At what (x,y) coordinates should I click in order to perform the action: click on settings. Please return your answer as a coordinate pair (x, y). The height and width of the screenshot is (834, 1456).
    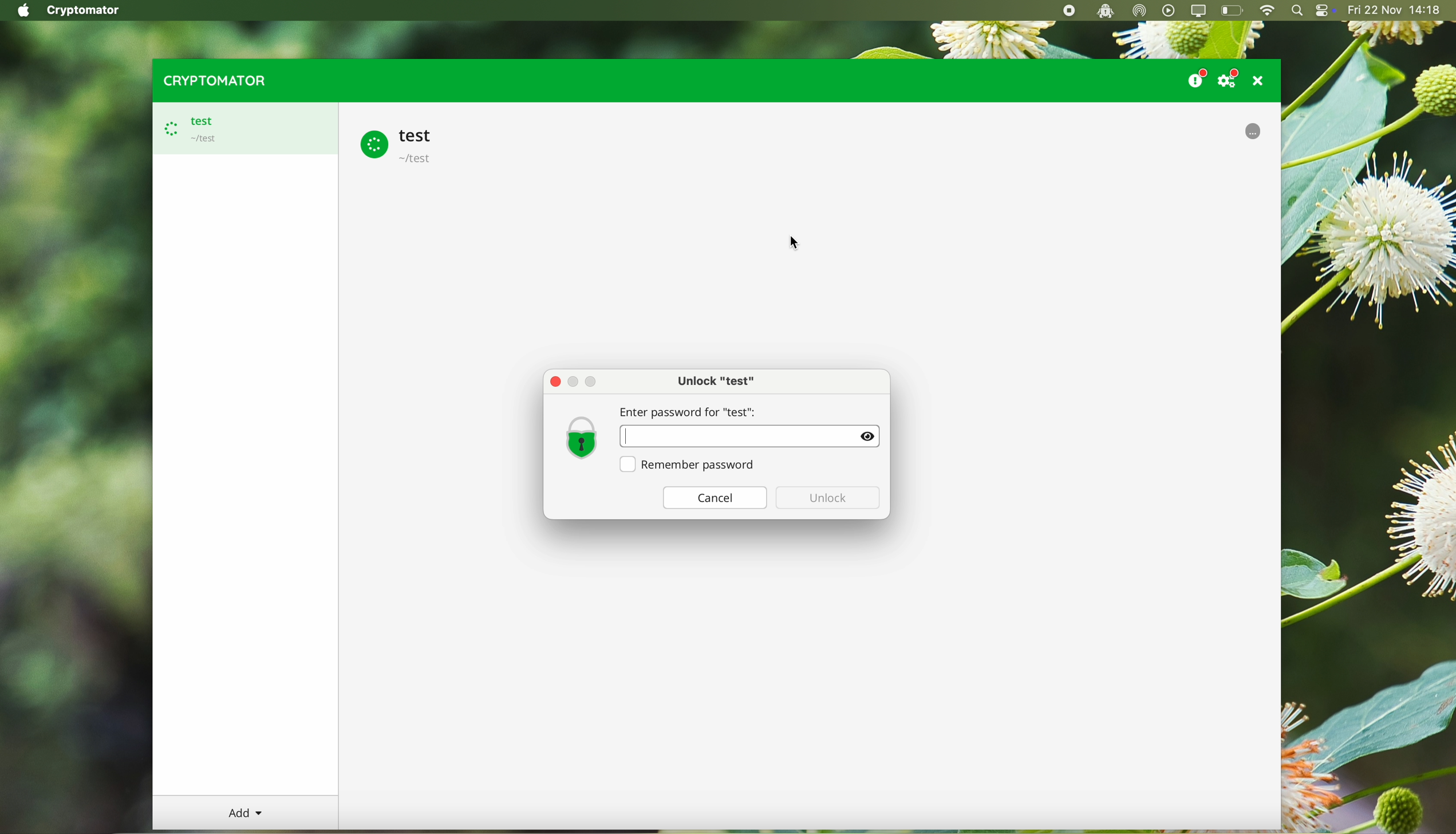
    Looking at the image, I should click on (1231, 78).